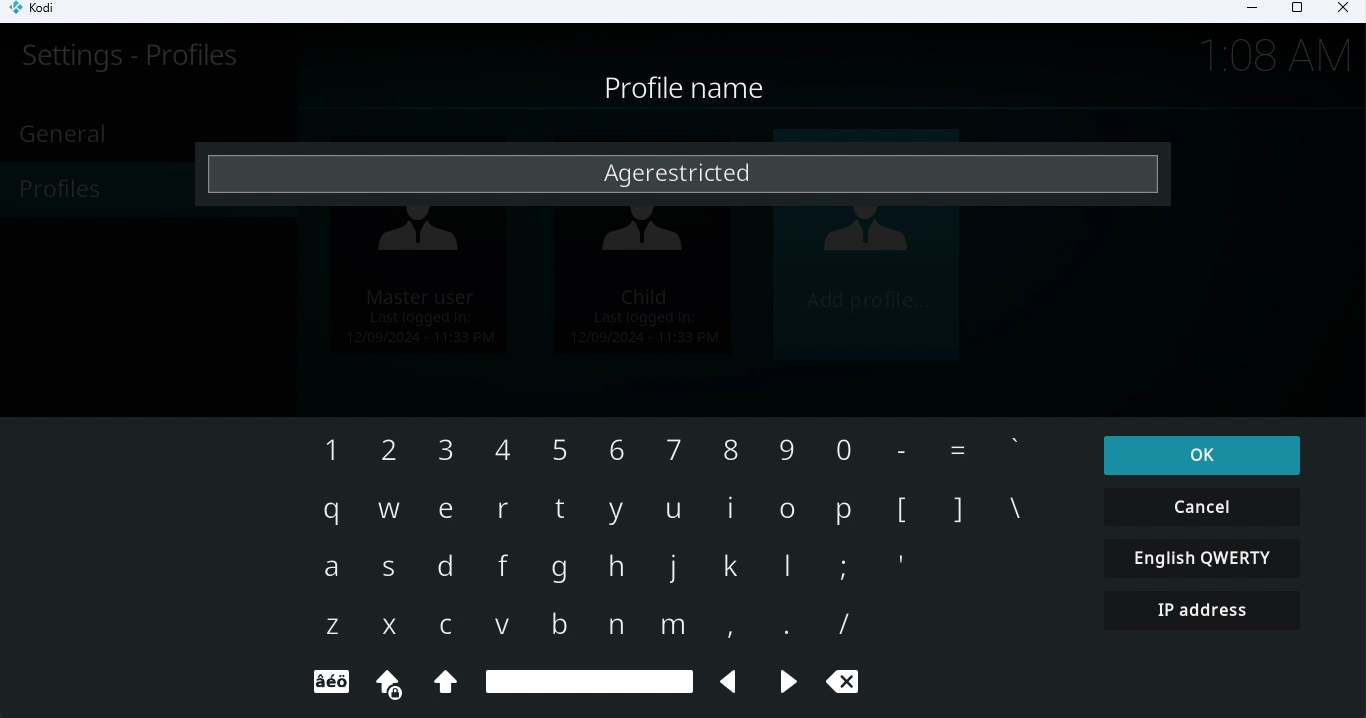  Describe the element at coordinates (1198, 505) in the screenshot. I see `Cancel` at that location.